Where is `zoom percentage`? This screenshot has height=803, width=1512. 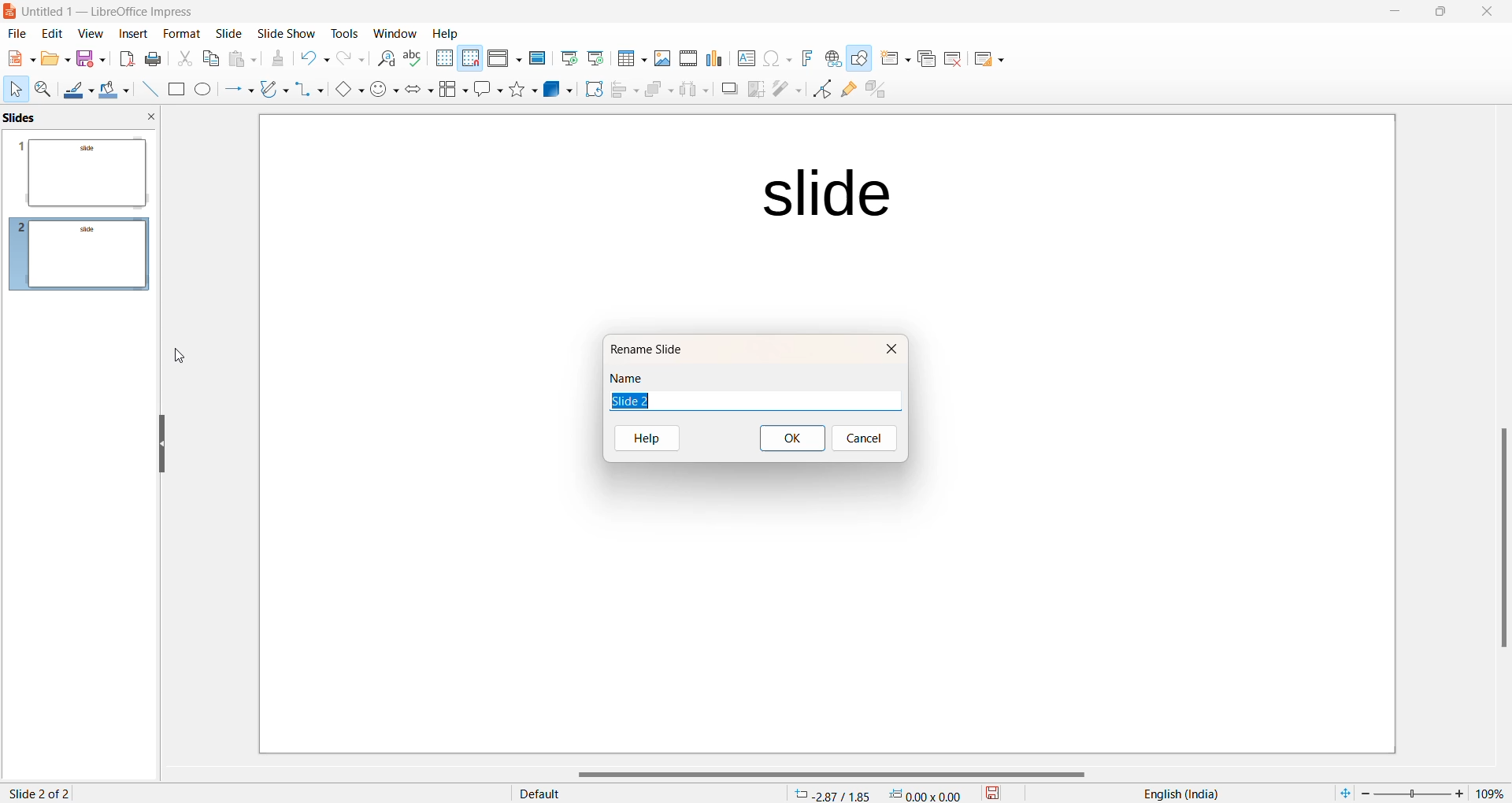
zoom percentage is located at coordinates (1493, 792).